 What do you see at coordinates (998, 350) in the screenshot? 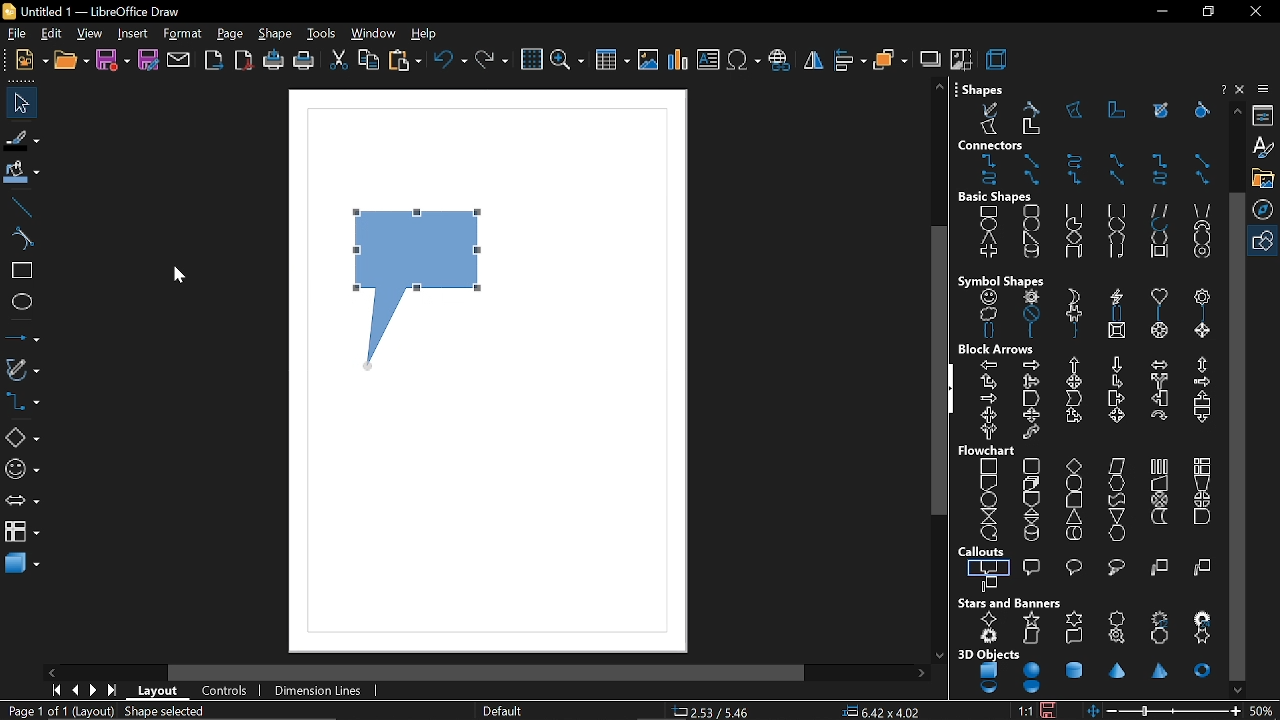
I see `block arrows` at bounding box center [998, 350].